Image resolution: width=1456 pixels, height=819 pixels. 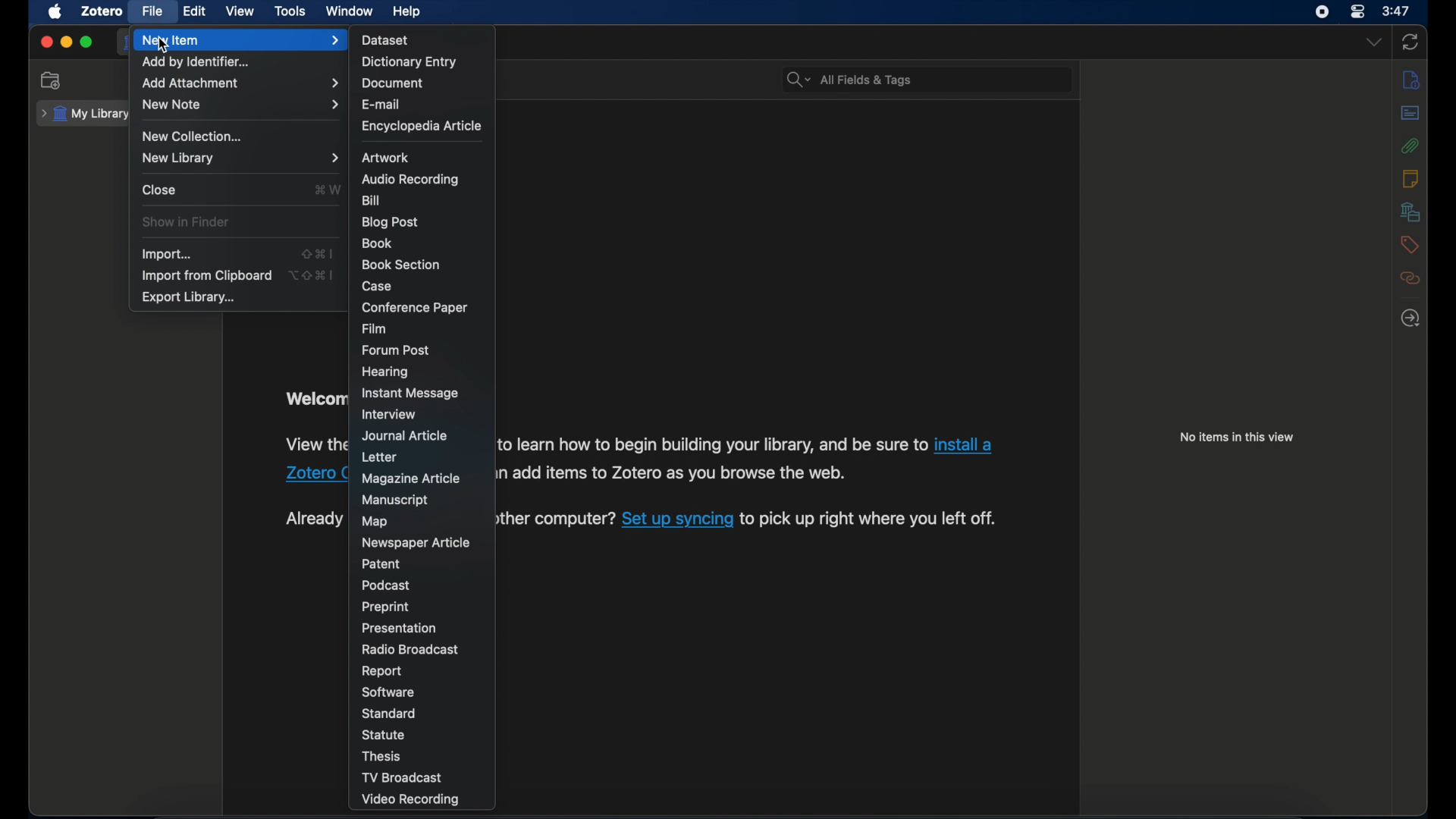 I want to click on info, so click(x=1414, y=80).